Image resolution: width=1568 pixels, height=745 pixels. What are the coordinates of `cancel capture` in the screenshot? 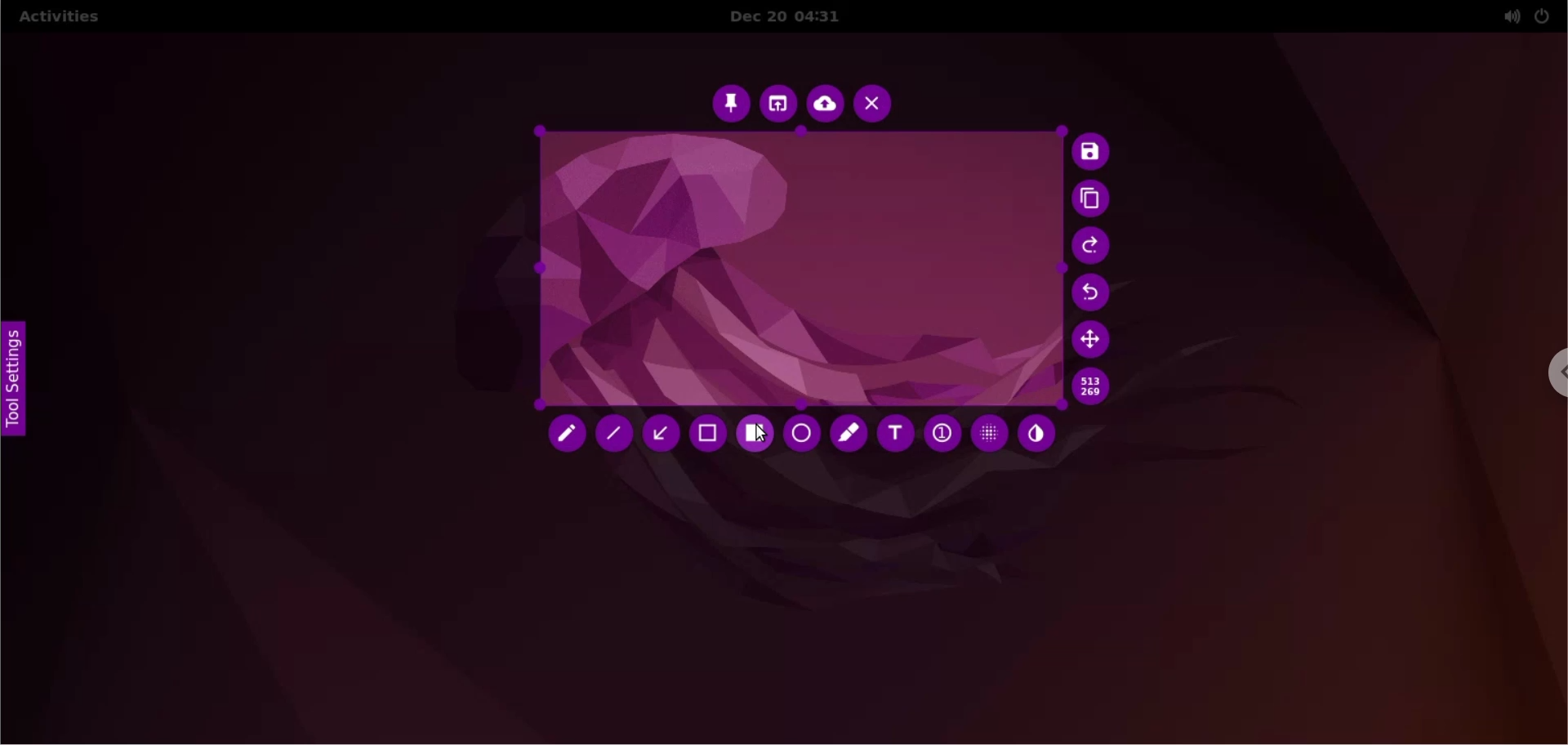 It's located at (875, 103).